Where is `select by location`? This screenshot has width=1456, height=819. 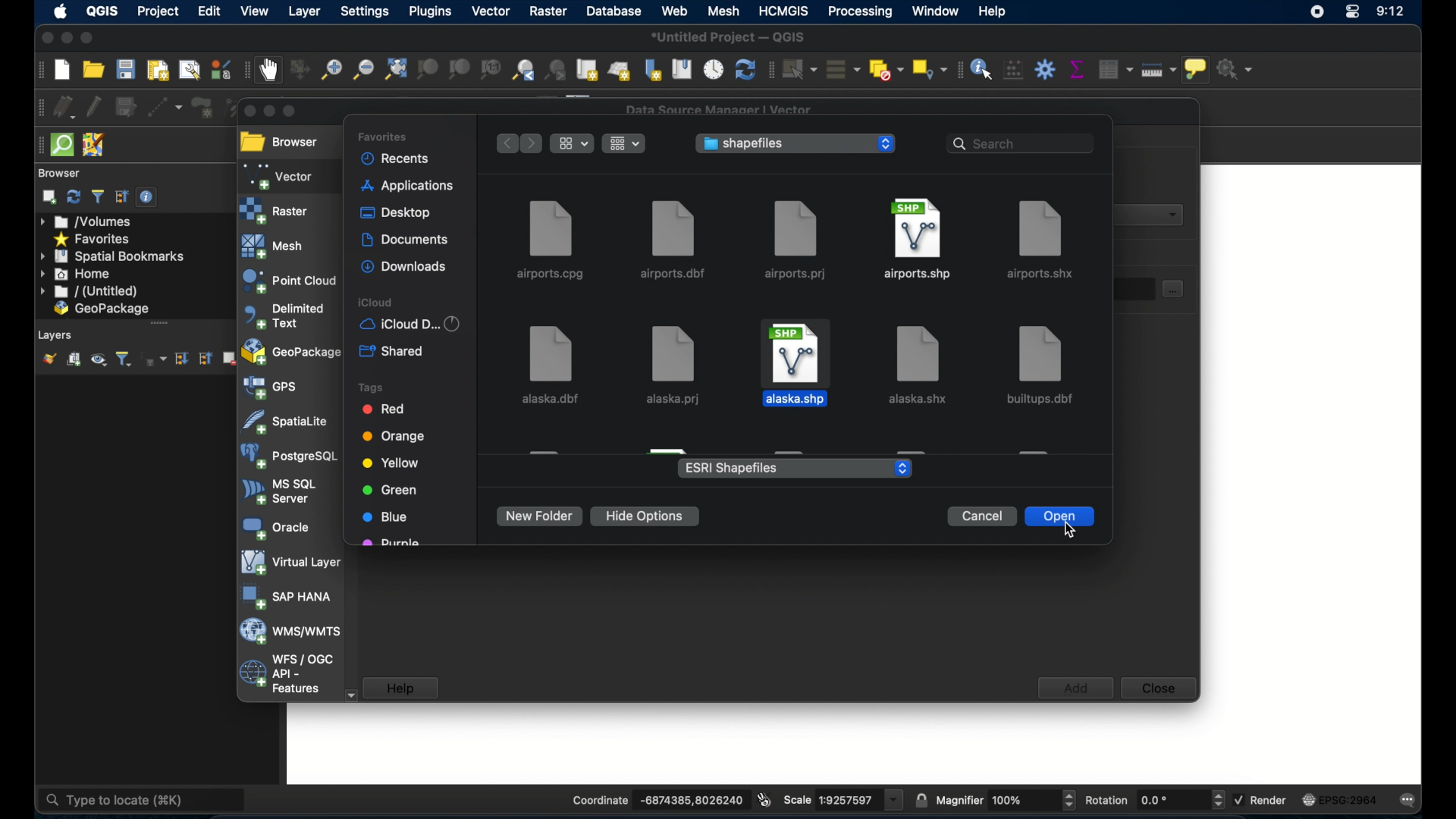 select by location is located at coordinates (930, 69).